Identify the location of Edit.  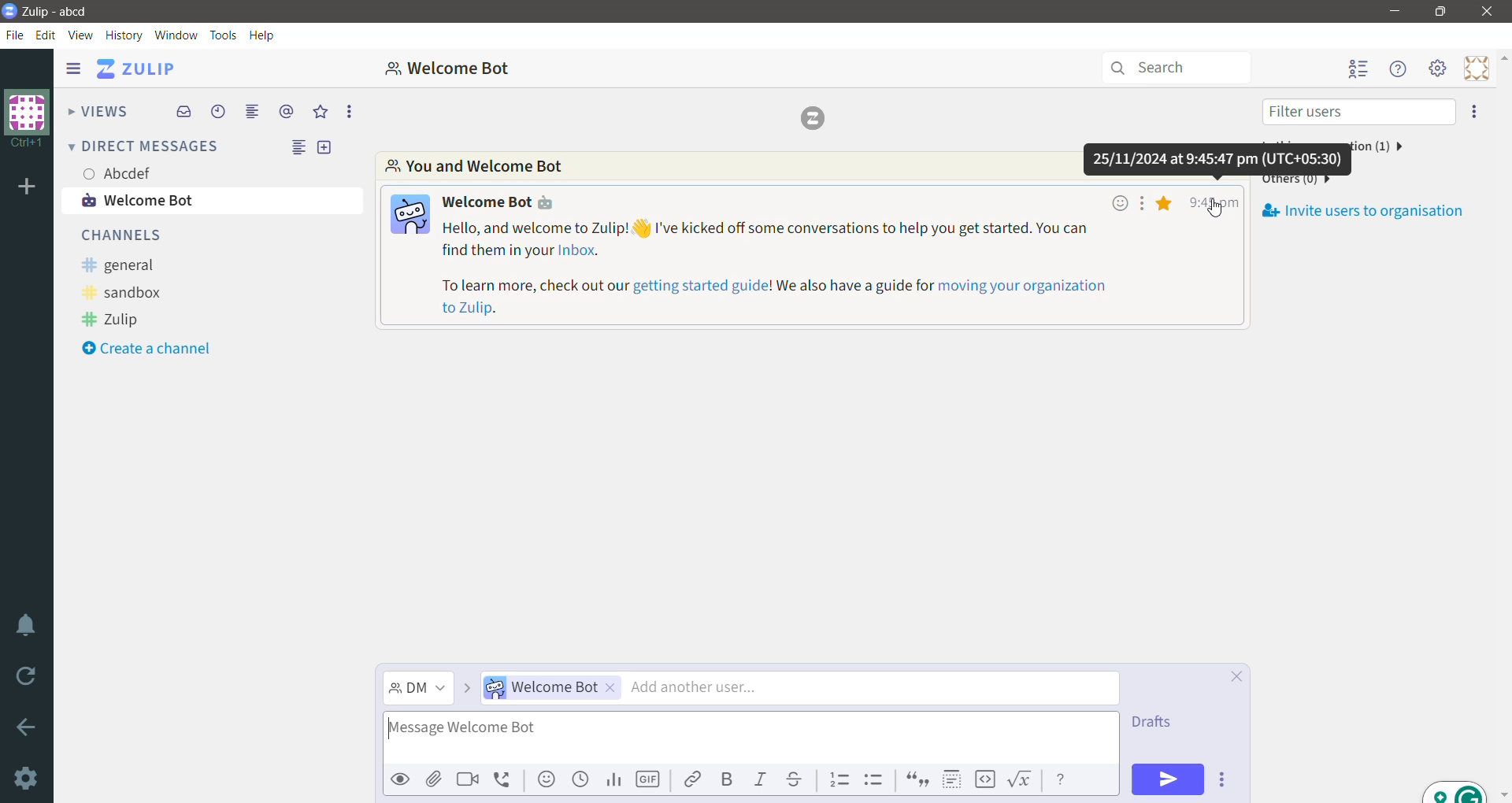
(48, 35).